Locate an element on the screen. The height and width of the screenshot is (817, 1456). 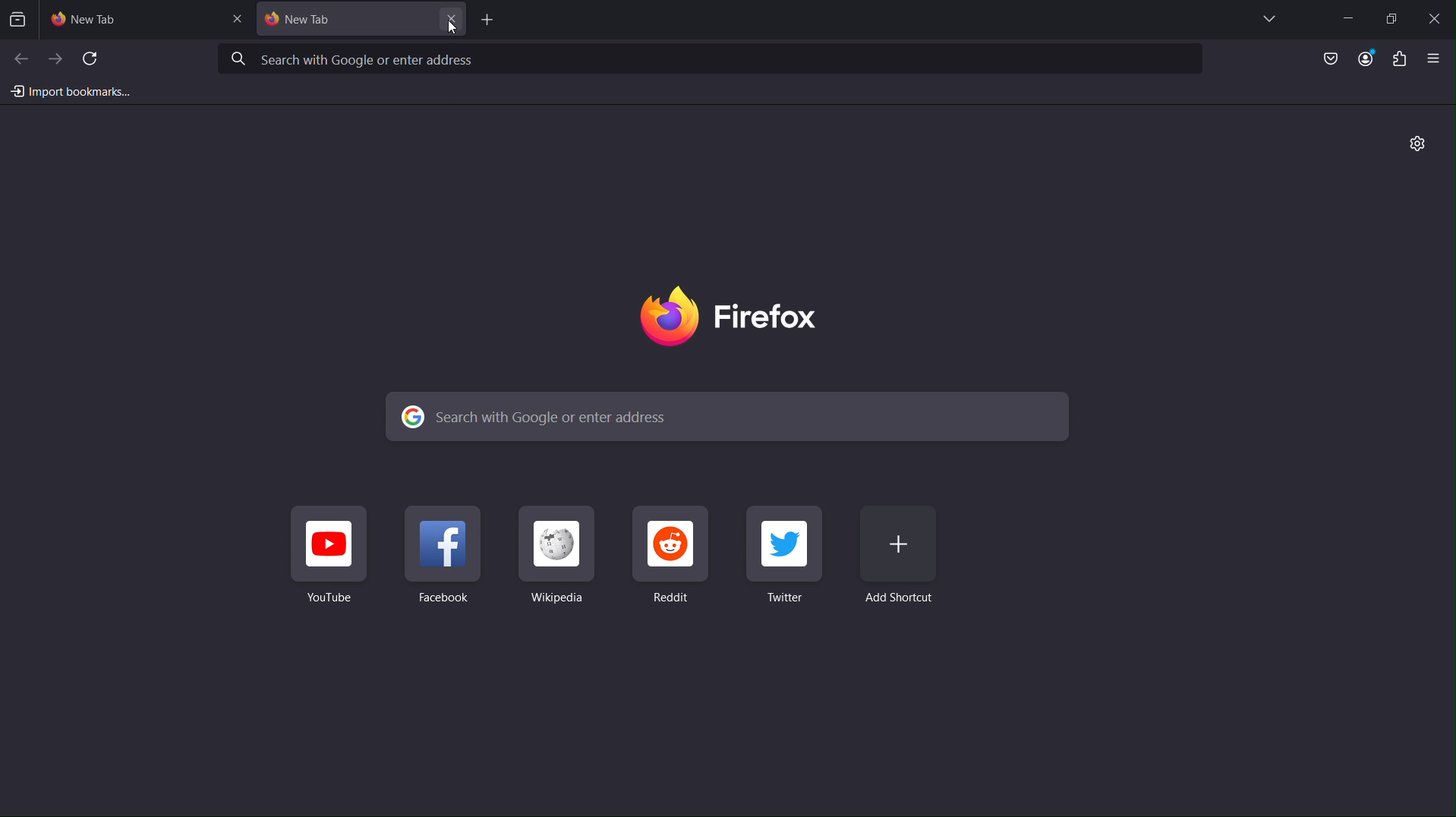
search with google or enter address is located at coordinates (716, 59).